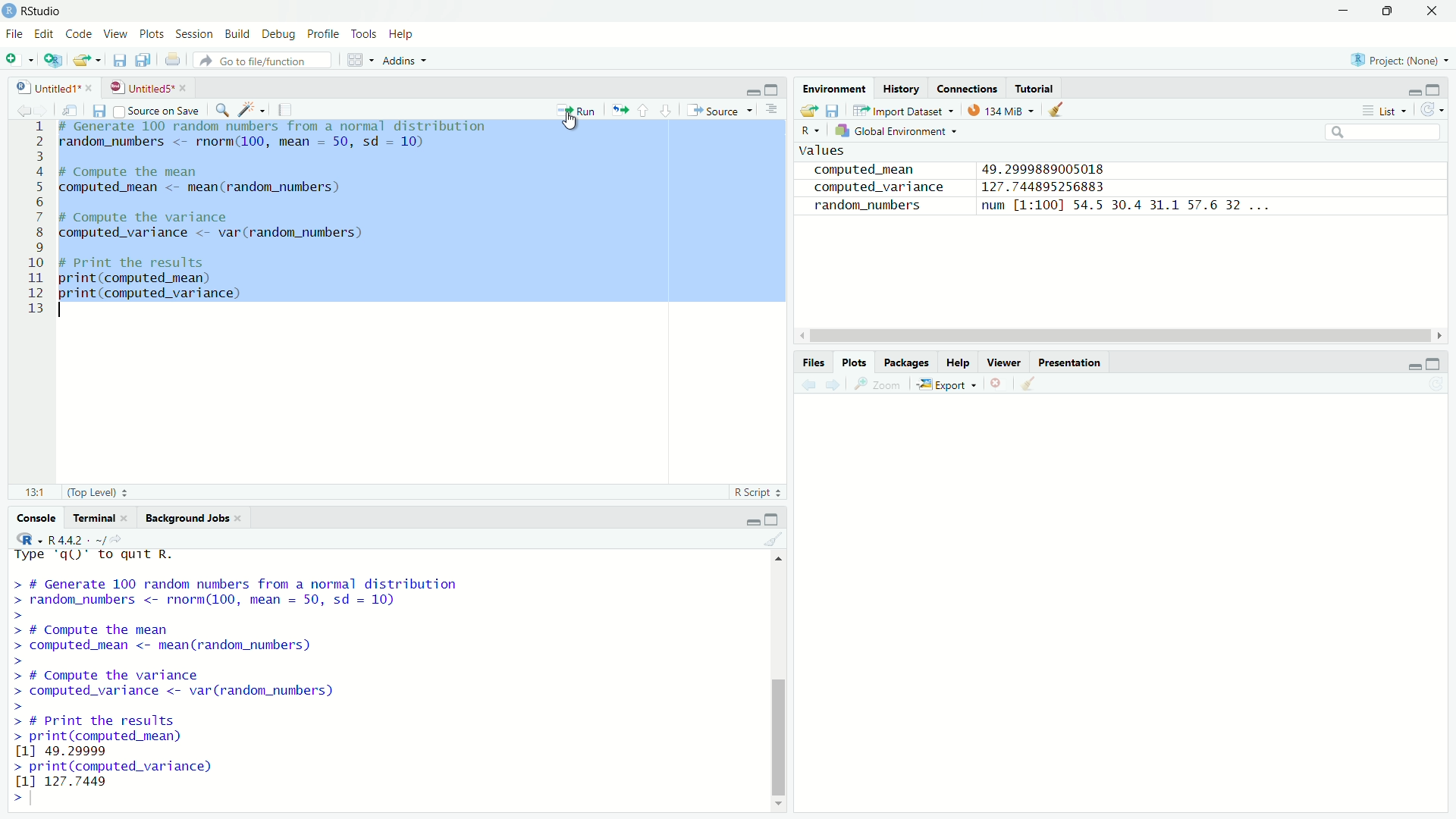  What do you see at coordinates (813, 362) in the screenshot?
I see `files` at bounding box center [813, 362].